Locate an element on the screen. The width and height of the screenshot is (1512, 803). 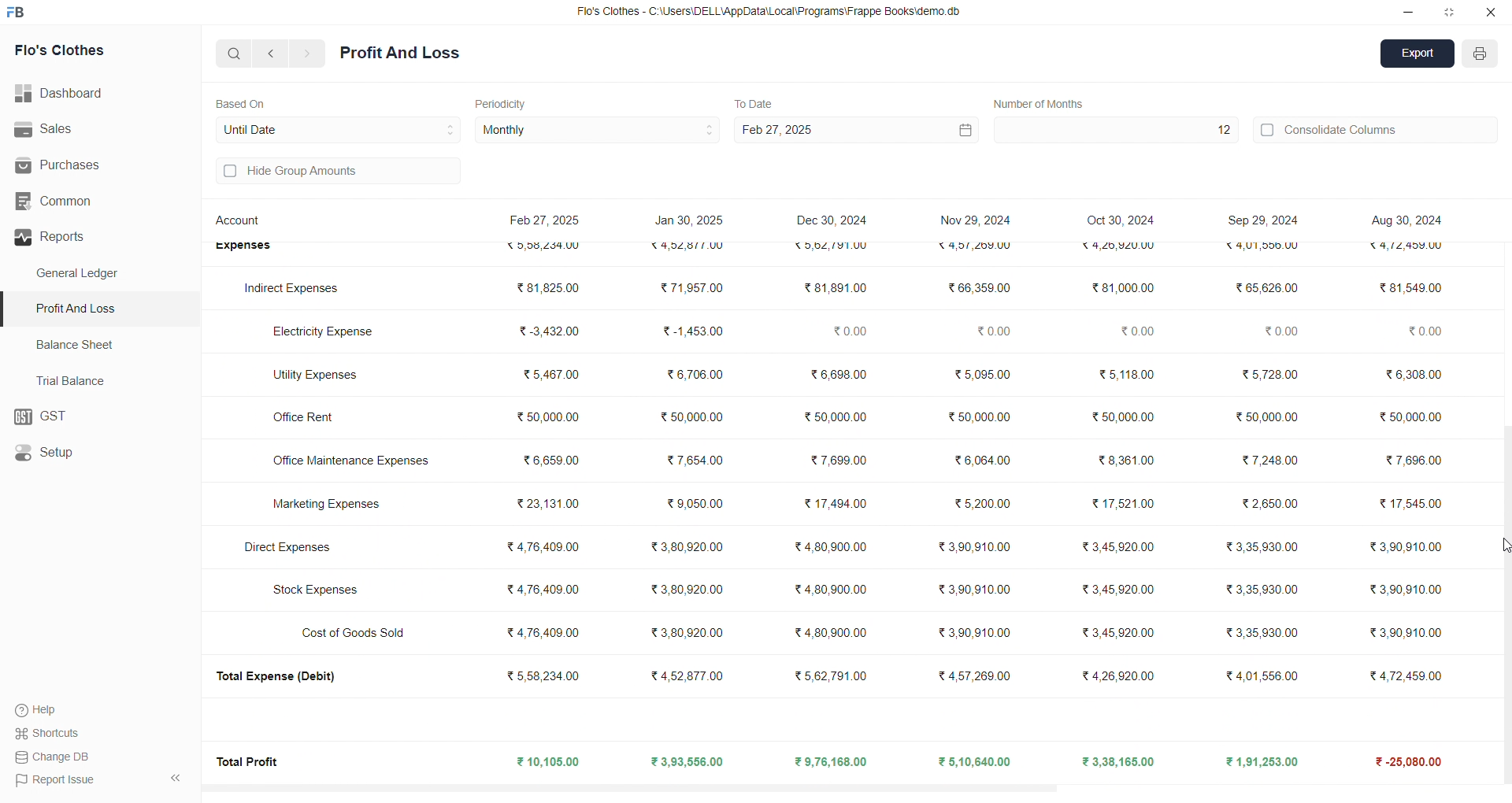
38154900 is located at coordinates (1410, 287).